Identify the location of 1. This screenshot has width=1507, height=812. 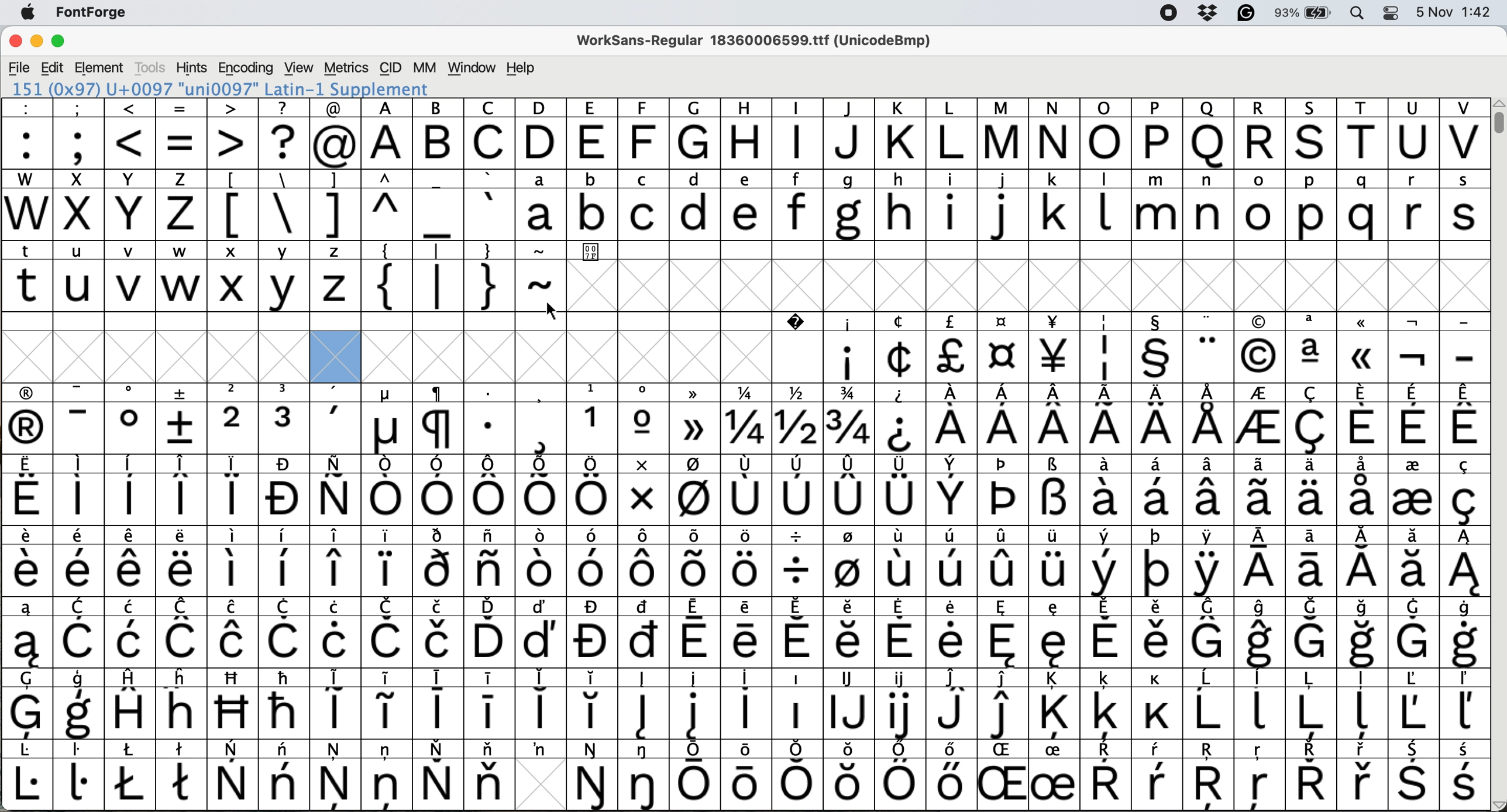
(592, 418).